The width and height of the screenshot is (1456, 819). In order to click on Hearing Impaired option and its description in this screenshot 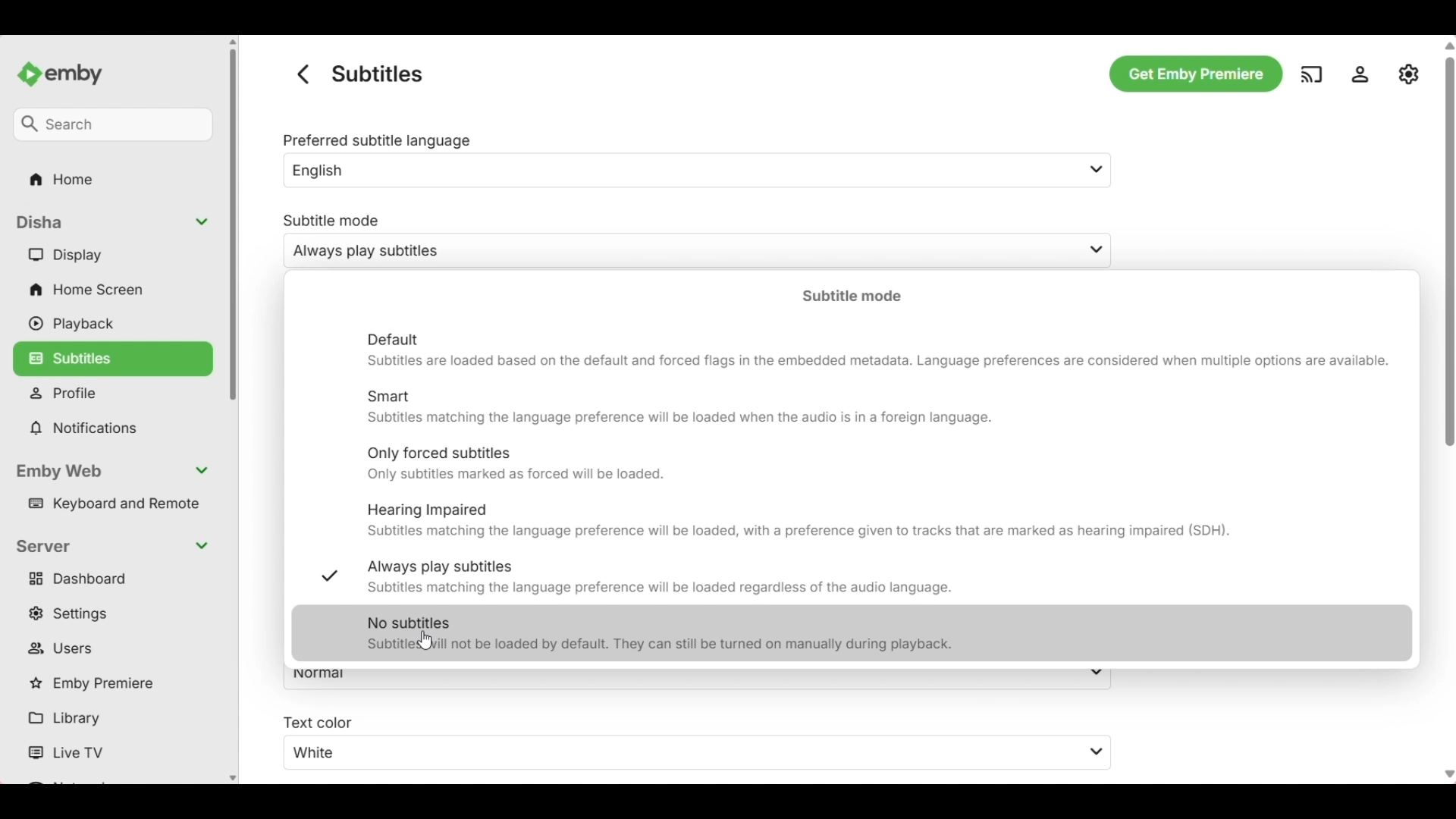, I will do `click(879, 521)`.